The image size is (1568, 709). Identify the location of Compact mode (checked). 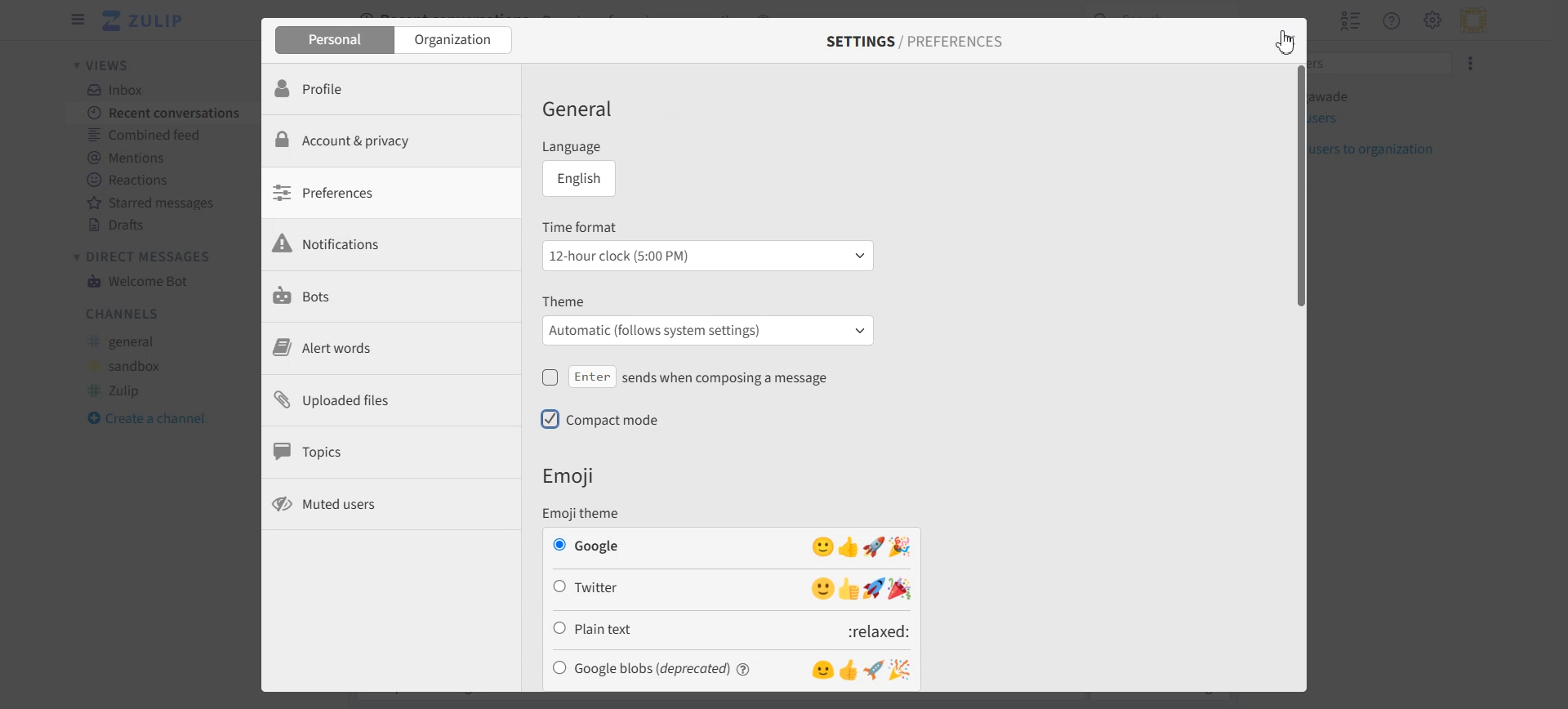
(628, 421).